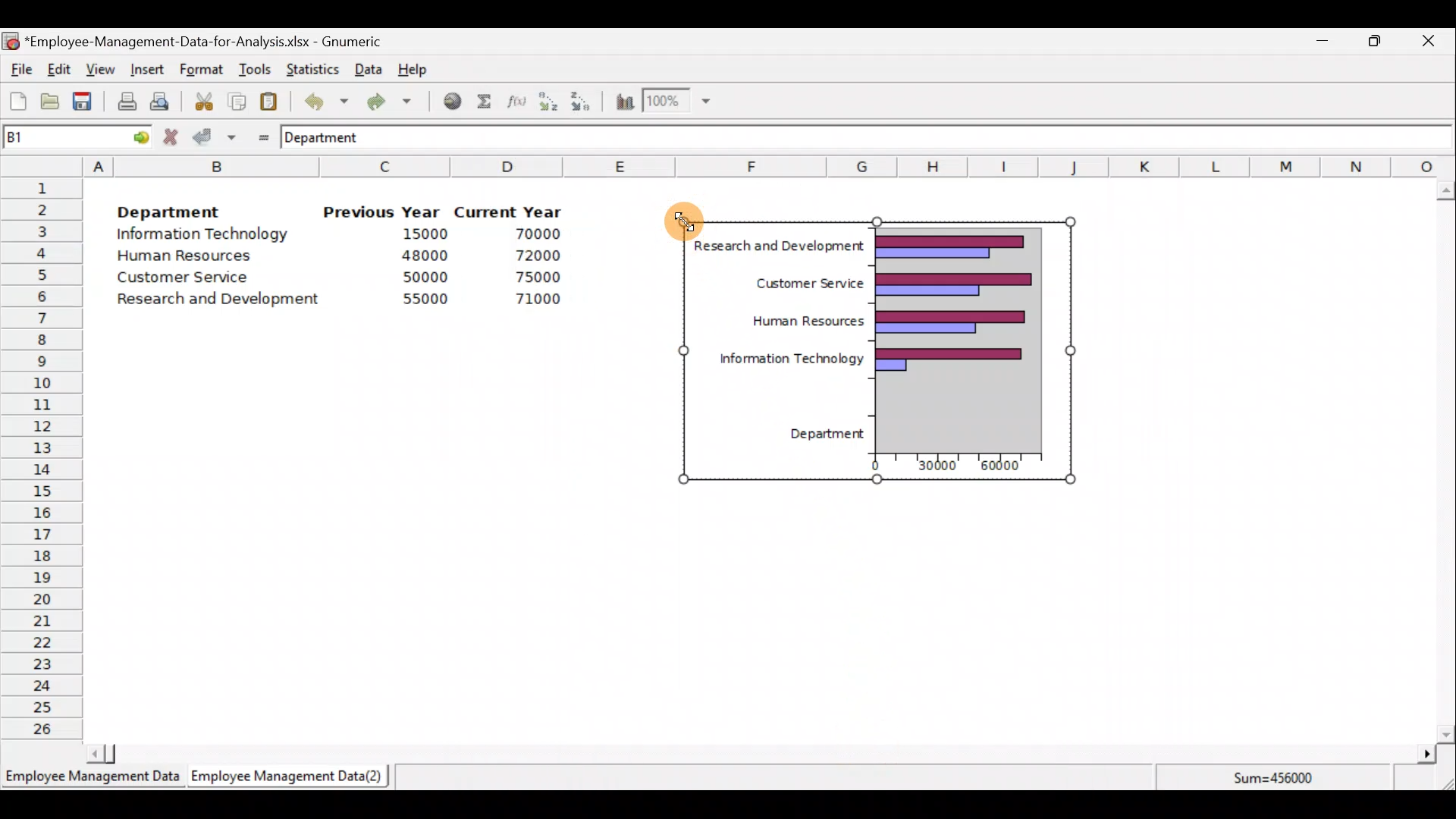 The image size is (1456, 819). What do you see at coordinates (532, 234) in the screenshot?
I see `70000` at bounding box center [532, 234].